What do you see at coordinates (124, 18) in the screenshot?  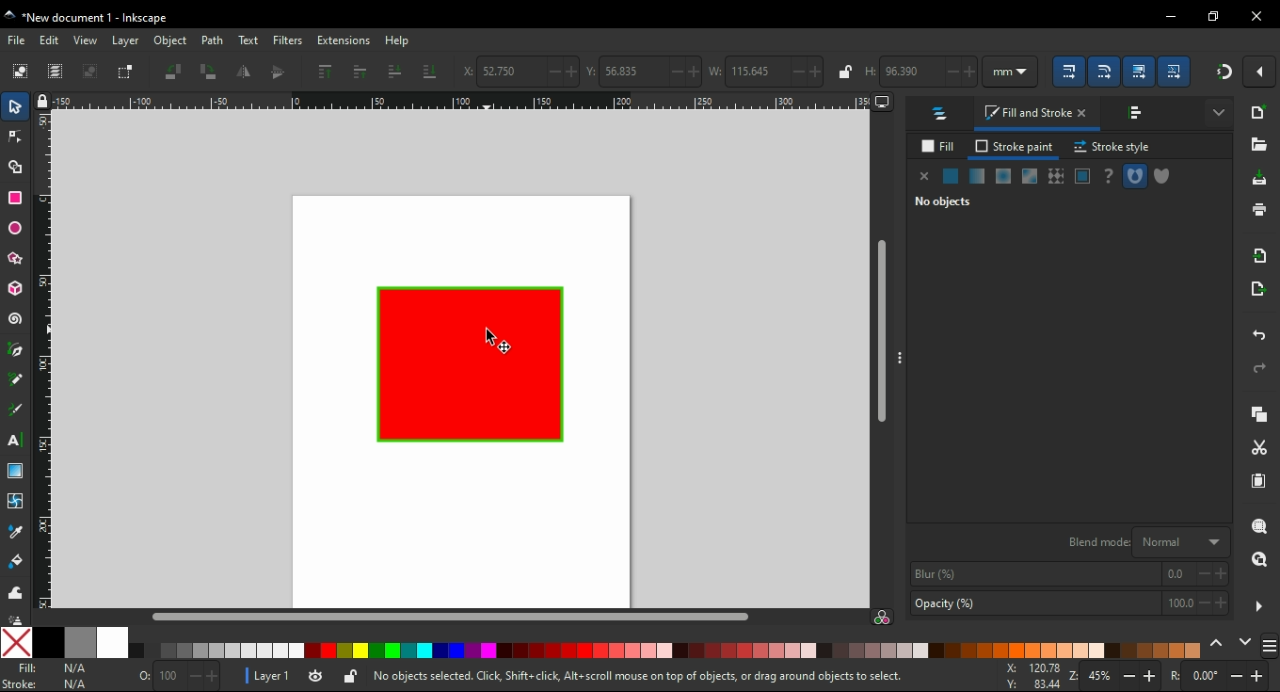 I see `title` at bounding box center [124, 18].